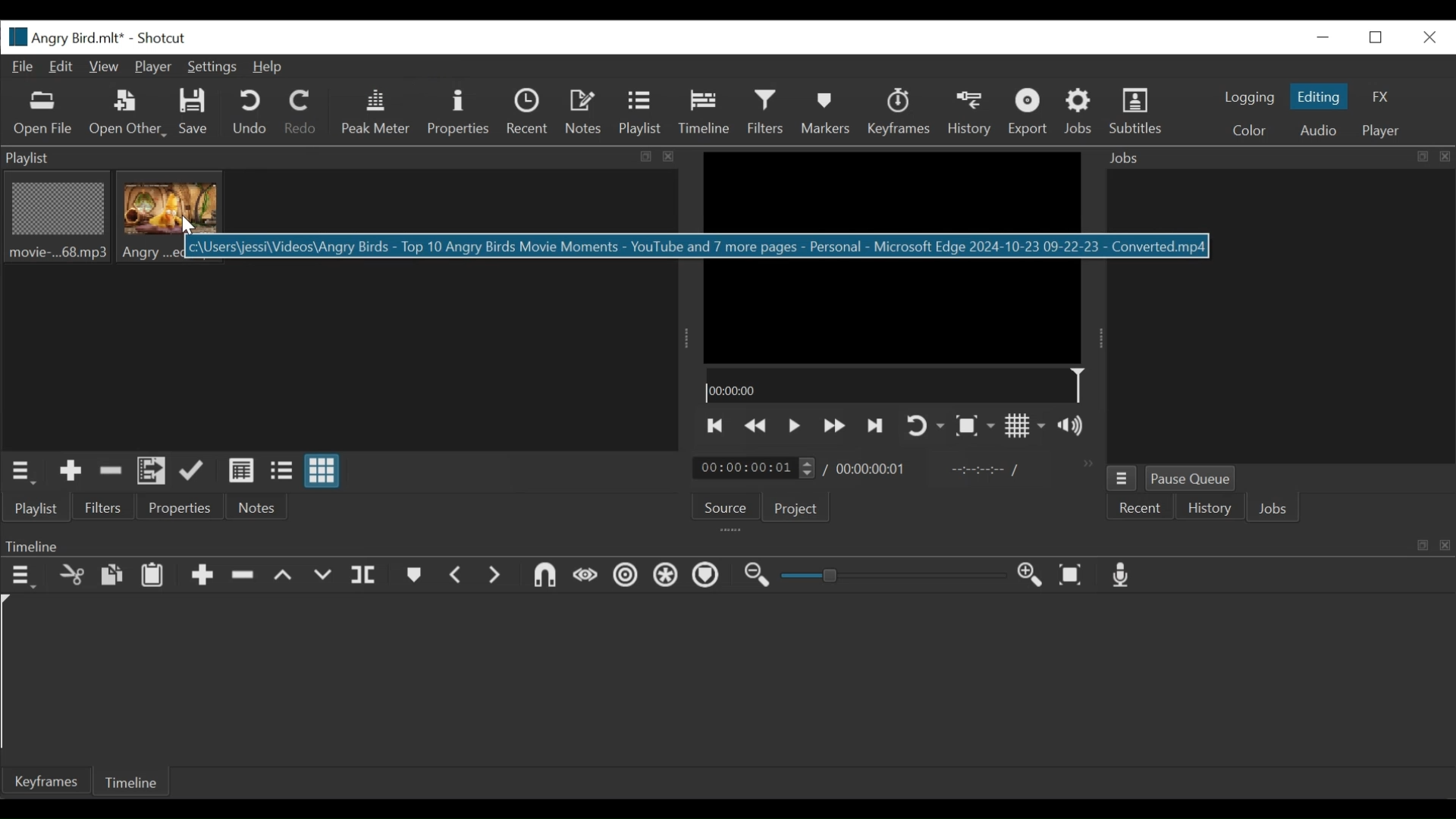 Image resolution: width=1456 pixels, height=819 pixels. I want to click on Markers, so click(823, 113).